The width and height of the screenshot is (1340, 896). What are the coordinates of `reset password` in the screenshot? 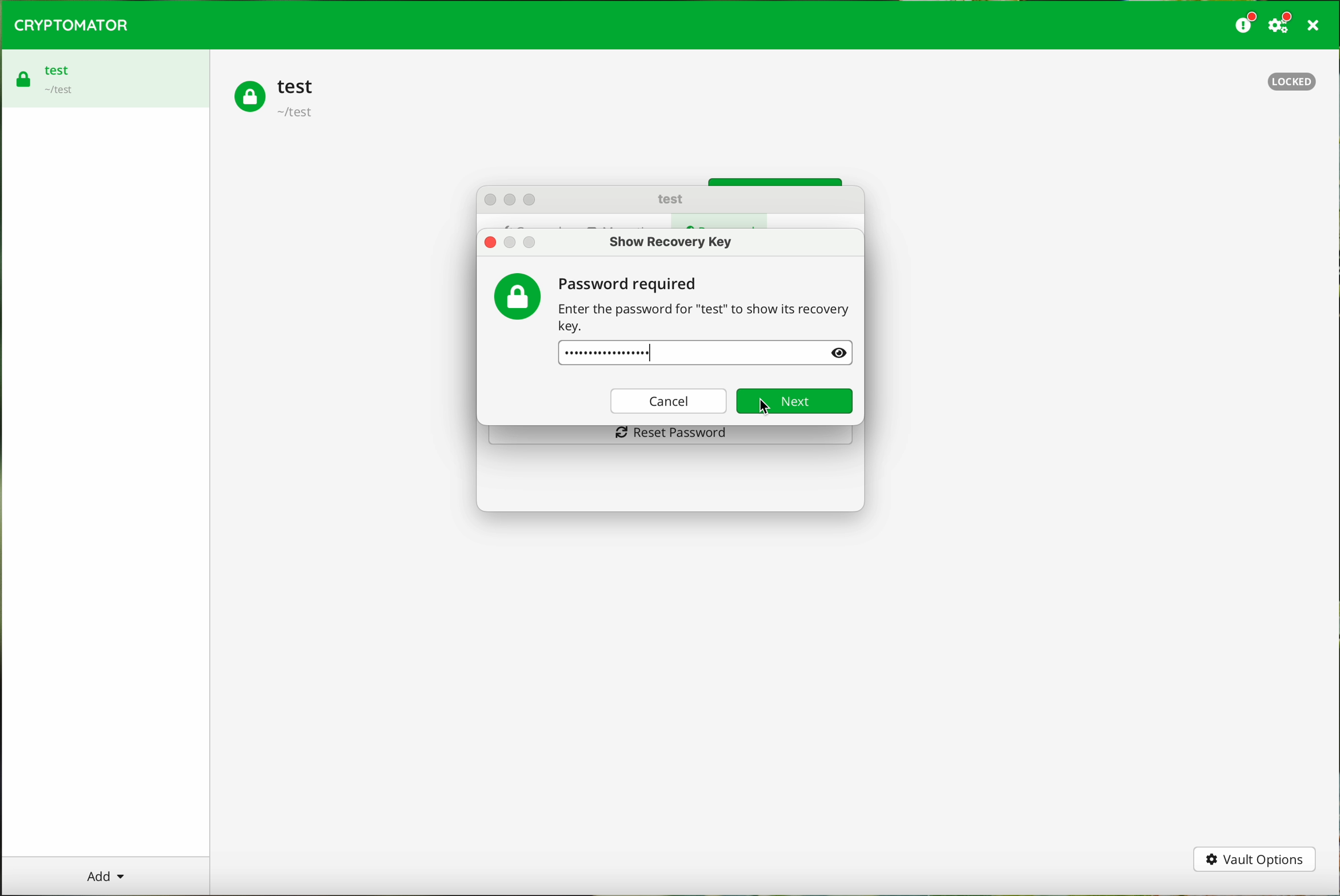 It's located at (669, 435).